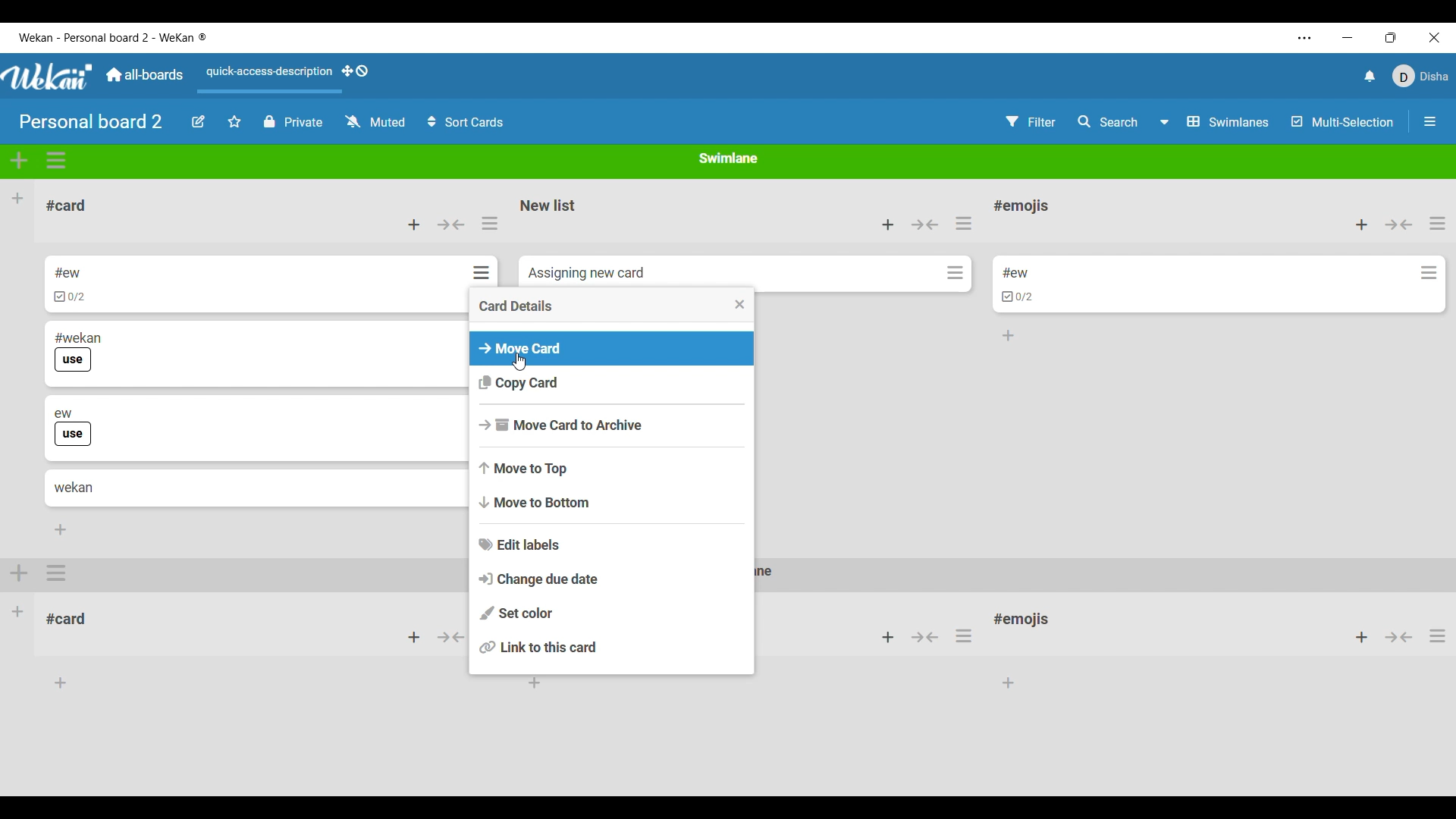  I want to click on Privacy options, so click(293, 122).